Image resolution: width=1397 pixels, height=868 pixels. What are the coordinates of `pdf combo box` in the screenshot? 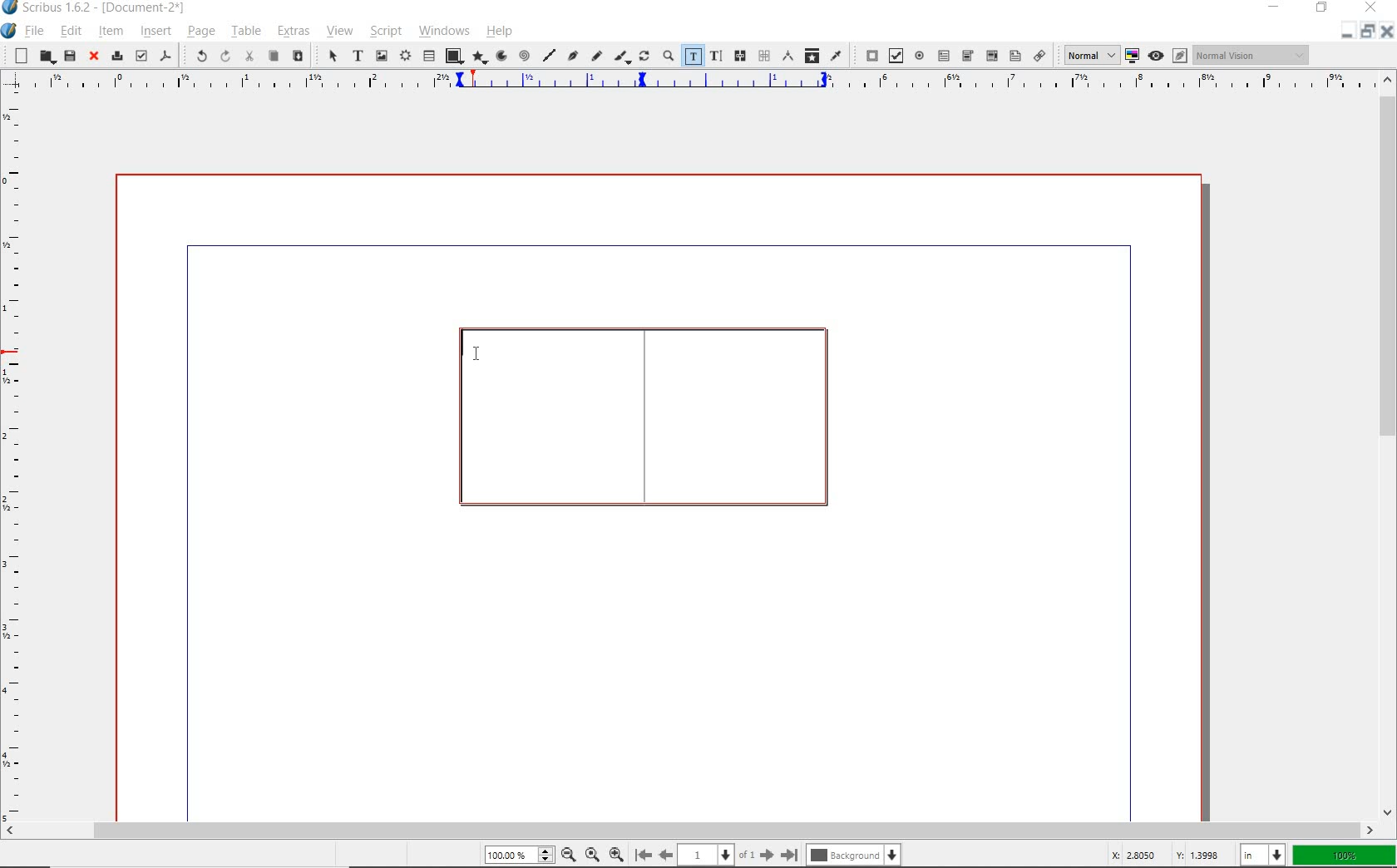 It's located at (990, 55).